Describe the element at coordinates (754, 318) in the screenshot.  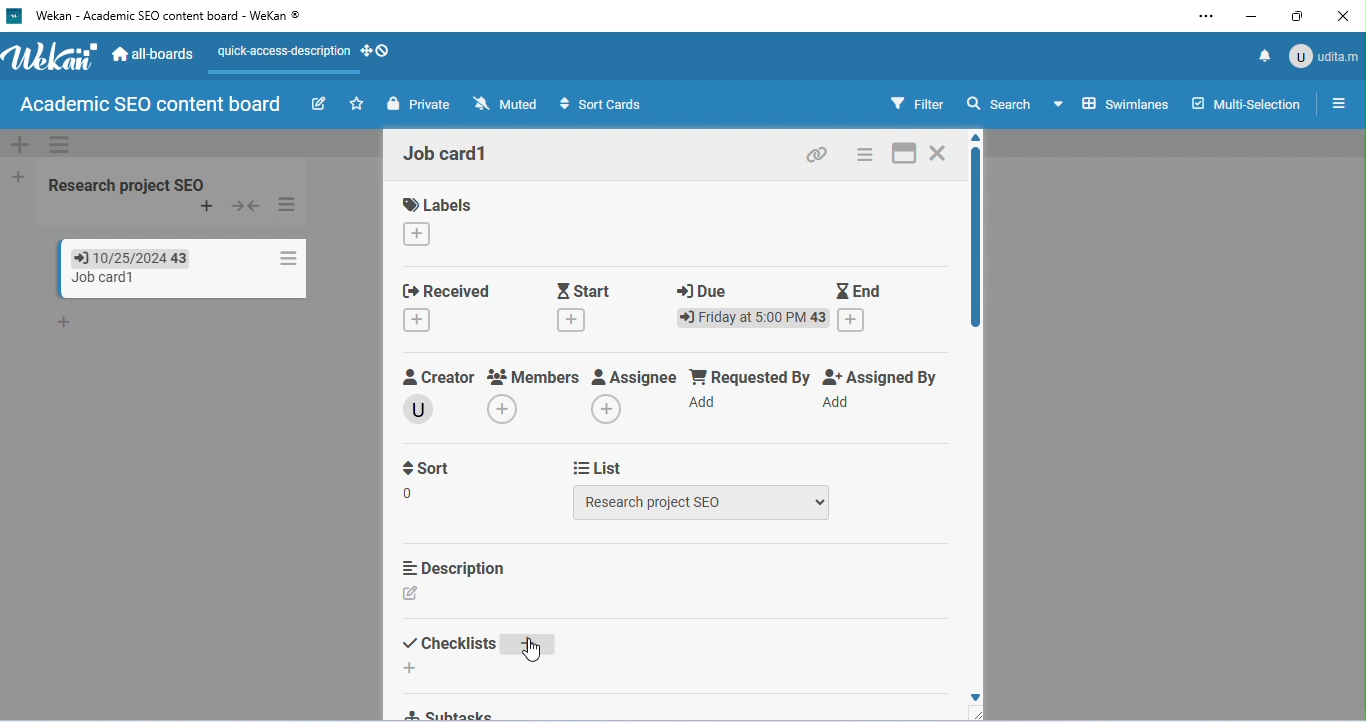
I see `due date and time` at that location.